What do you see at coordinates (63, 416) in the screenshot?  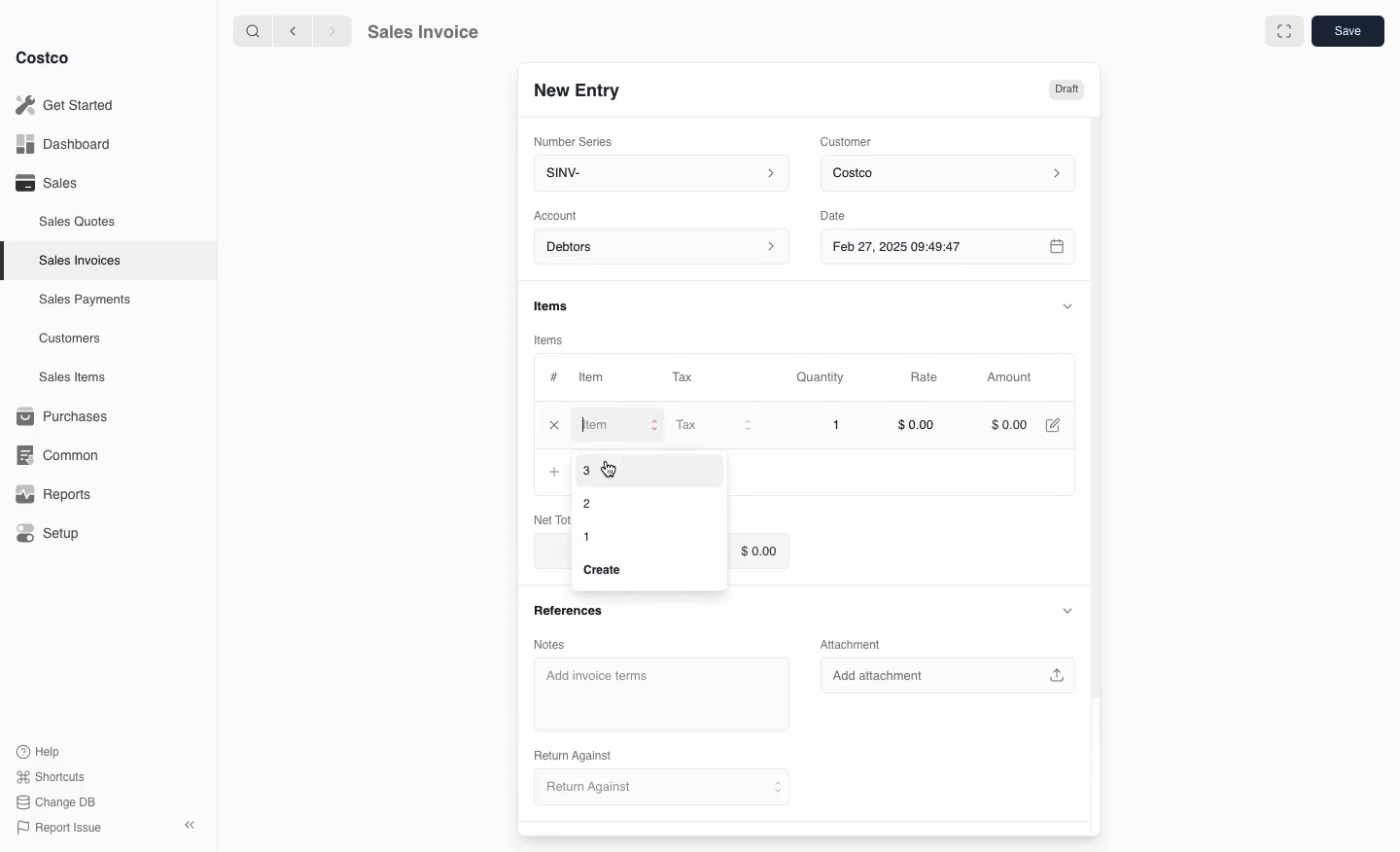 I see `Purchases` at bounding box center [63, 416].